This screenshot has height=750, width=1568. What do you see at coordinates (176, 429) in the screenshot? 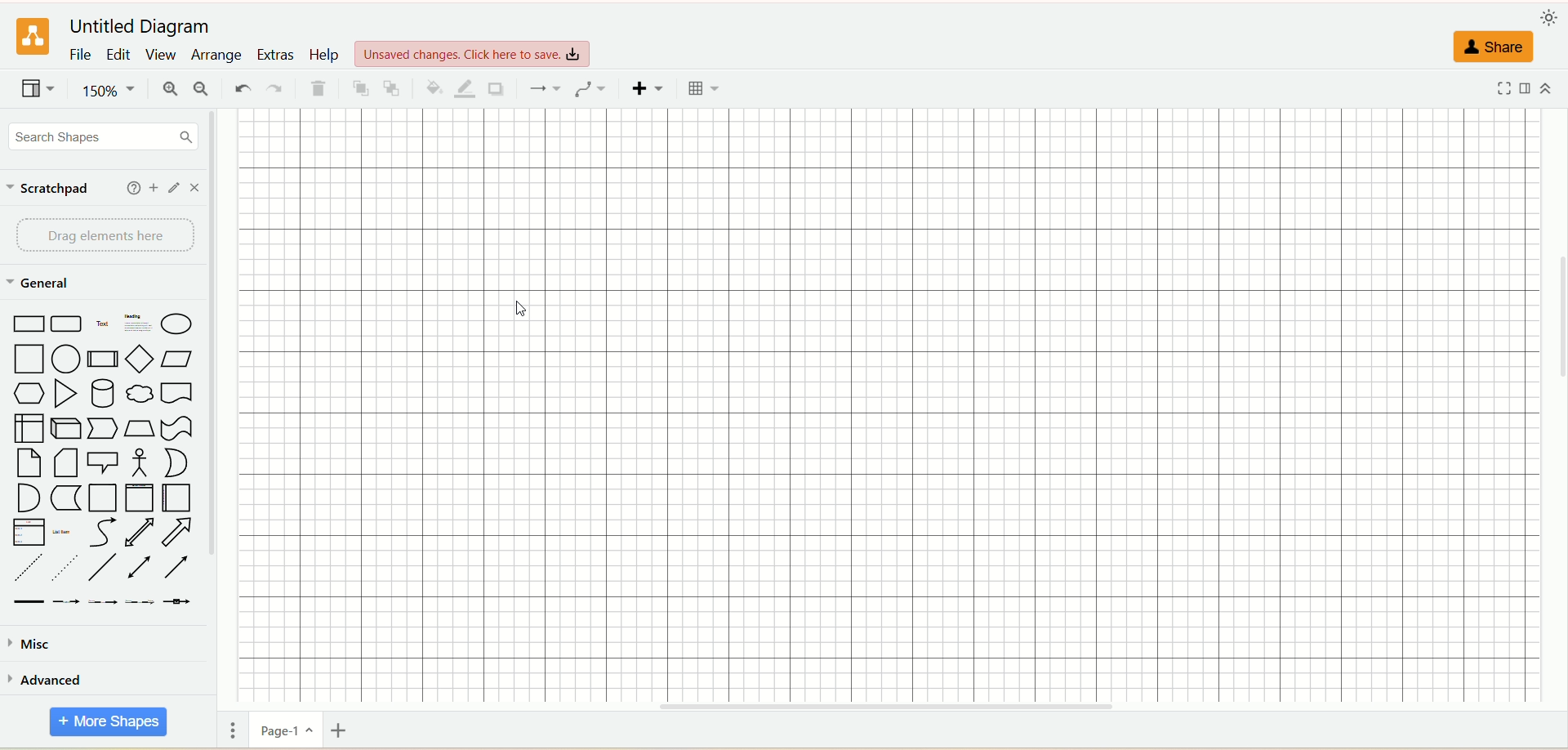
I see `tape` at bounding box center [176, 429].